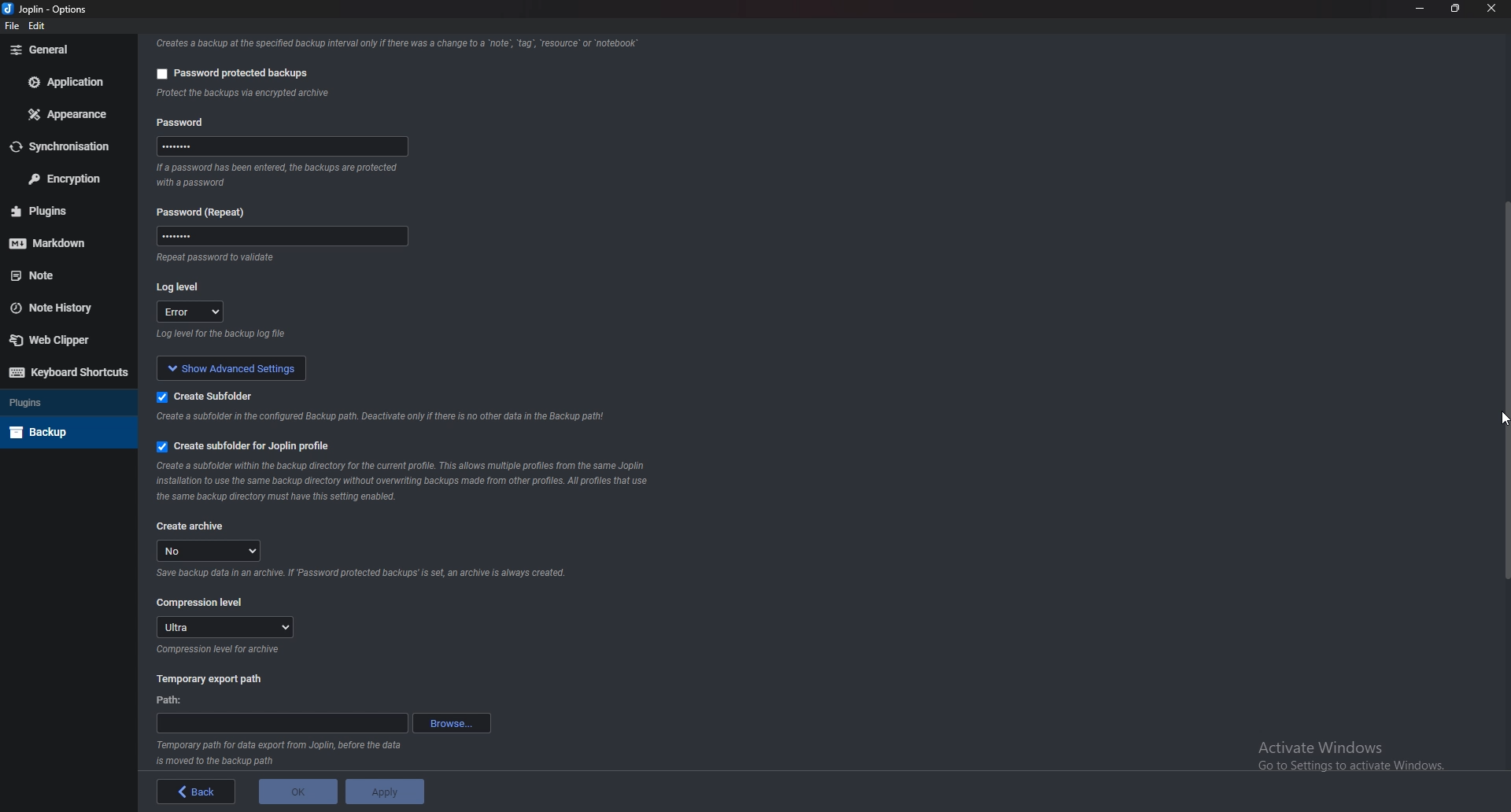 The image size is (1511, 812). What do you see at coordinates (281, 175) in the screenshot?
I see `info` at bounding box center [281, 175].